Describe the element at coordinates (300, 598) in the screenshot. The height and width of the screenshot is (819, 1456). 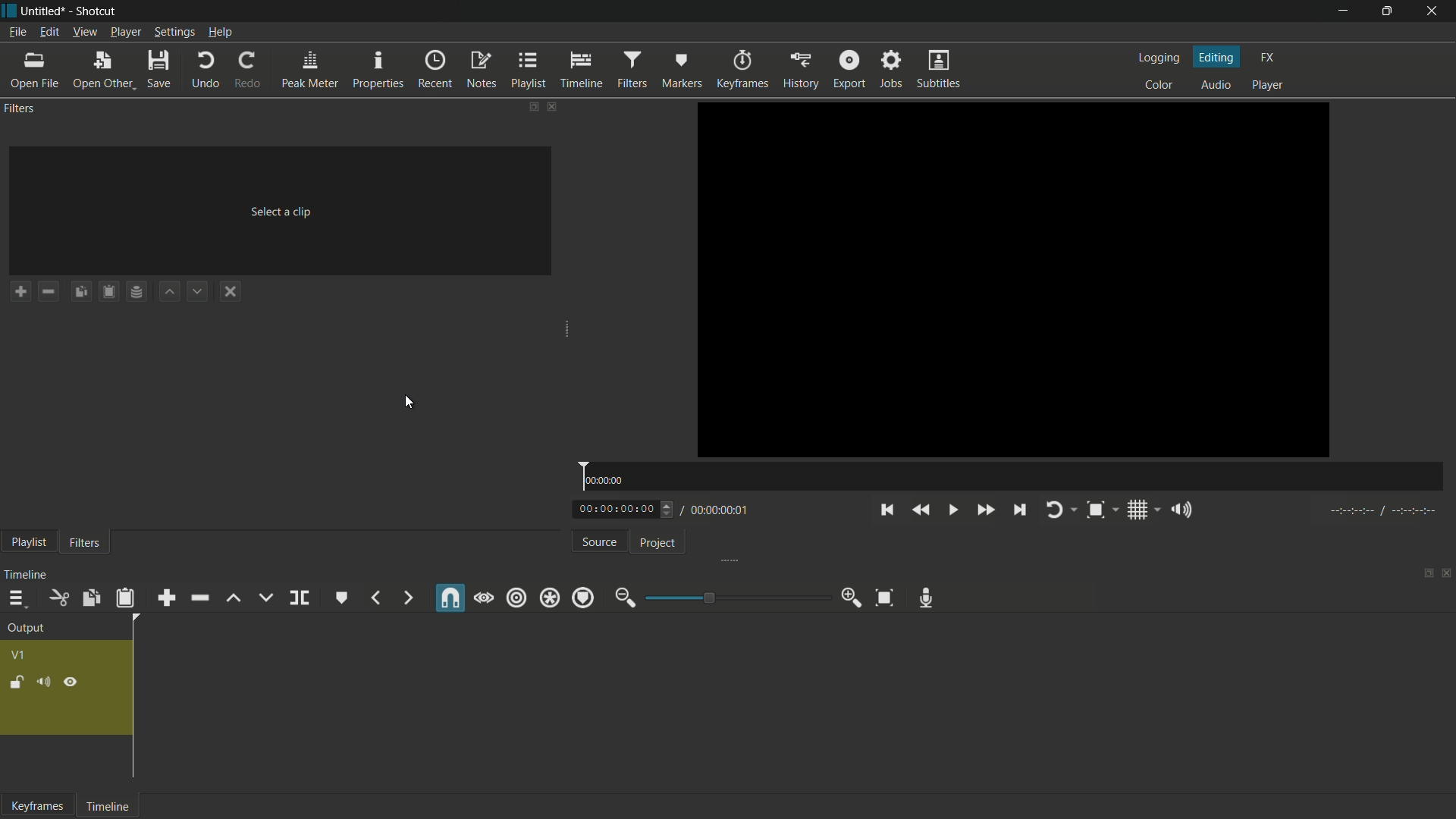
I see `split at playhead` at that location.